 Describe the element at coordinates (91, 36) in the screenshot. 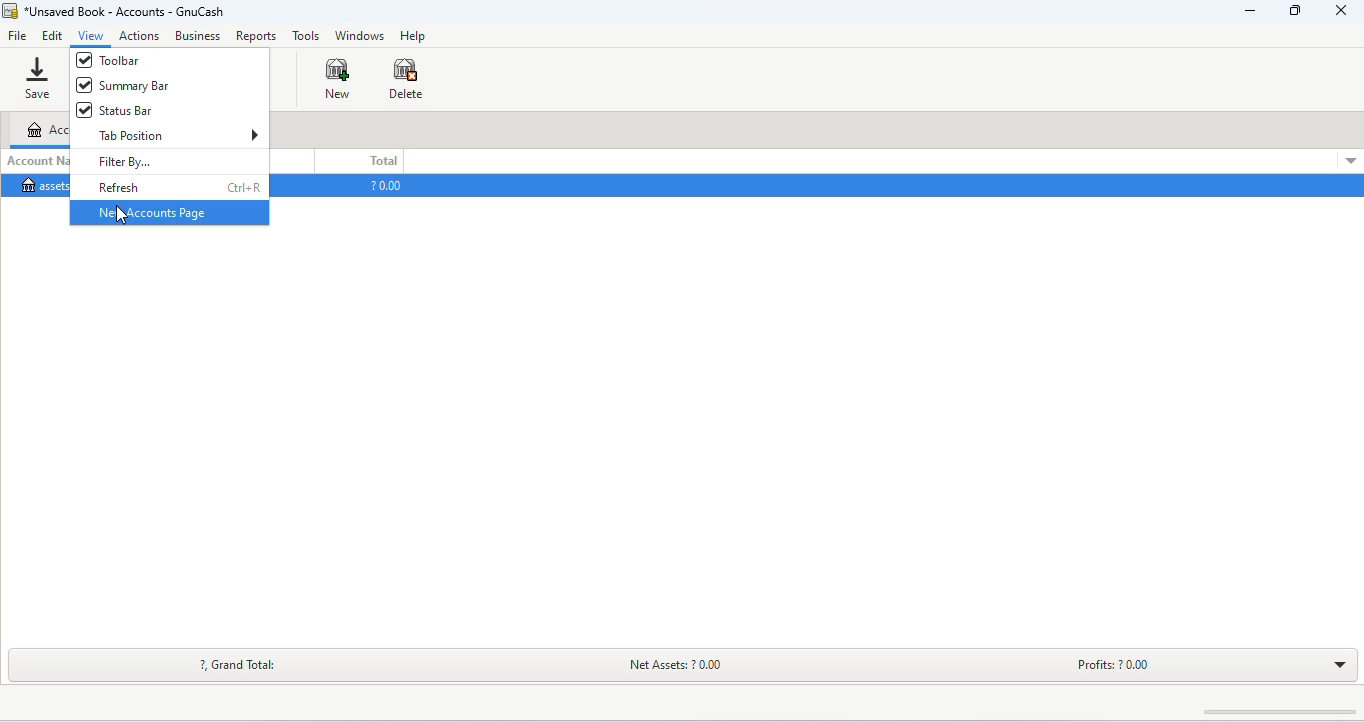

I see `view` at that location.